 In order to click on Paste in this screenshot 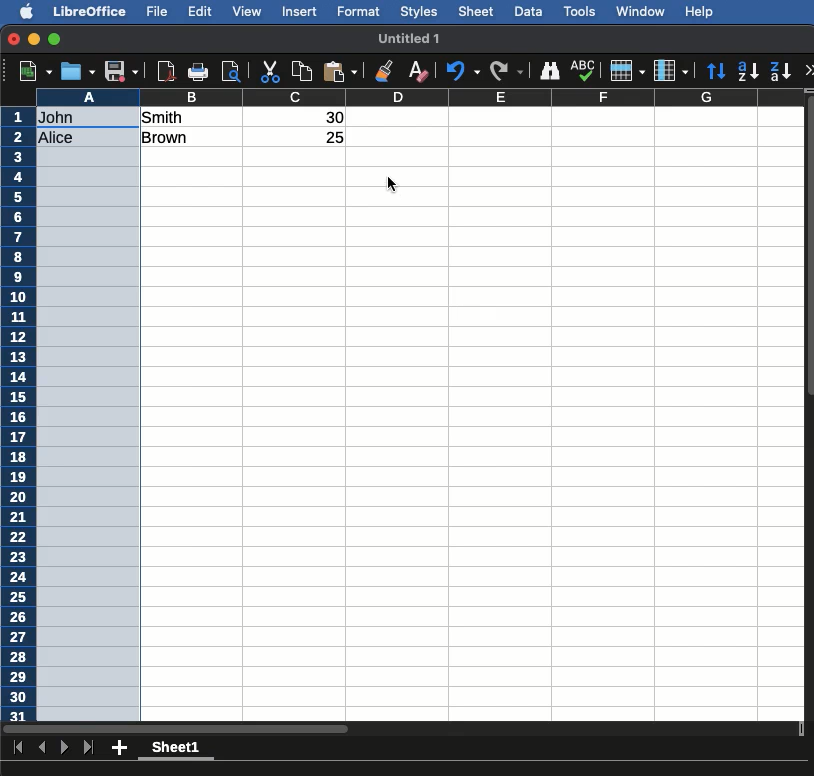, I will do `click(342, 72)`.